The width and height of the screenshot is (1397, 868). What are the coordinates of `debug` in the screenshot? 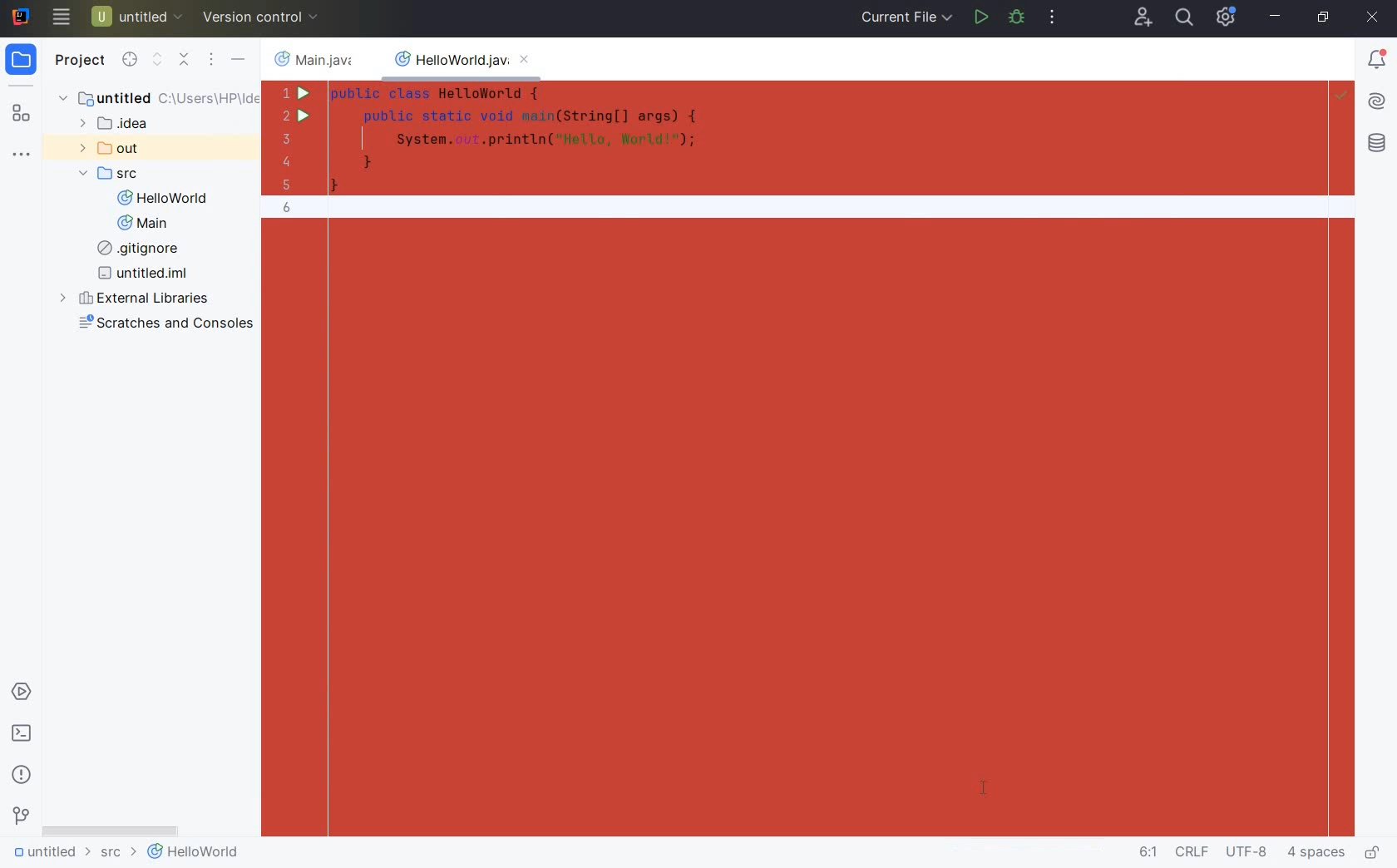 It's located at (1017, 17).